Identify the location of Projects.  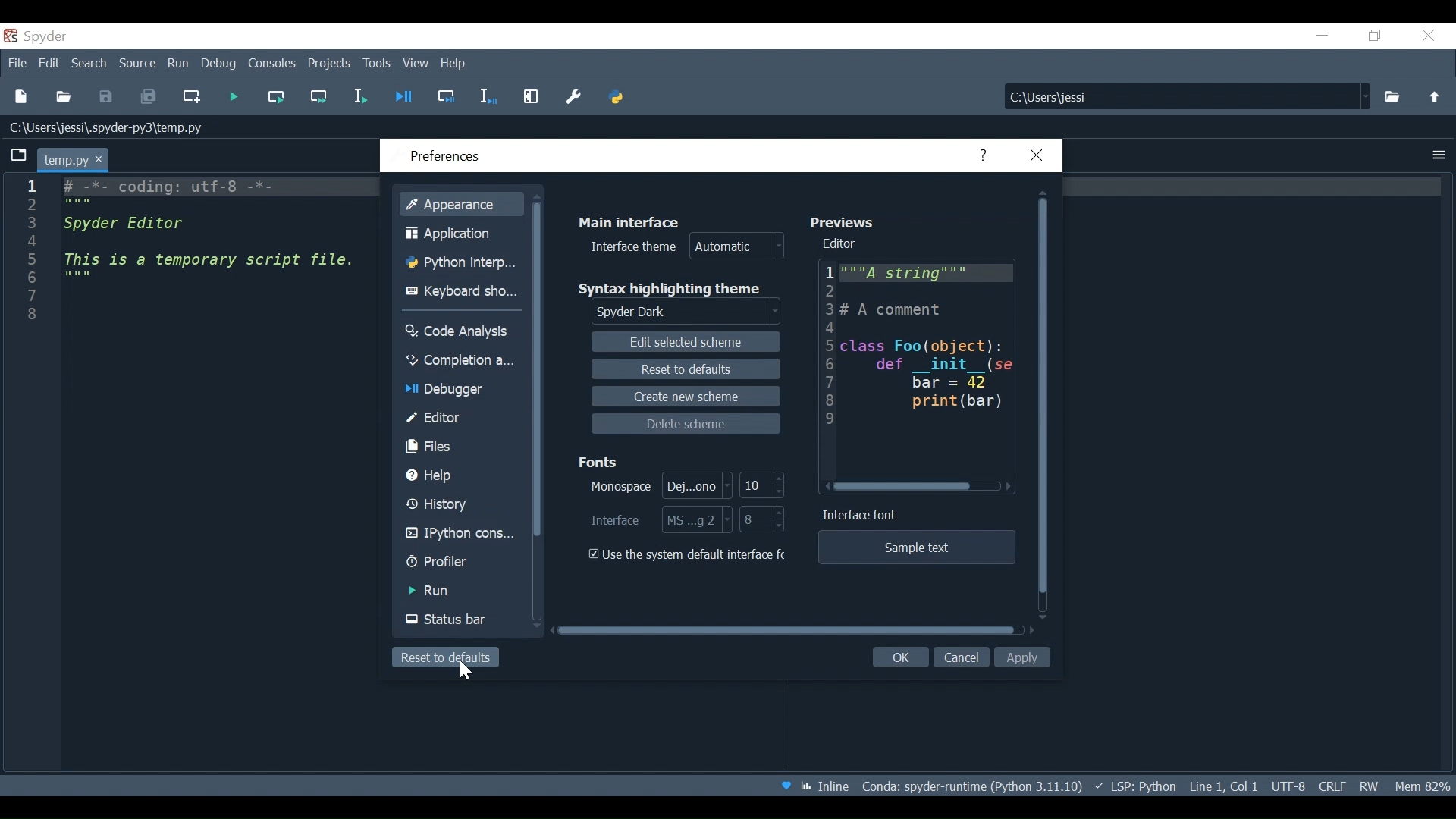
(328, 64).